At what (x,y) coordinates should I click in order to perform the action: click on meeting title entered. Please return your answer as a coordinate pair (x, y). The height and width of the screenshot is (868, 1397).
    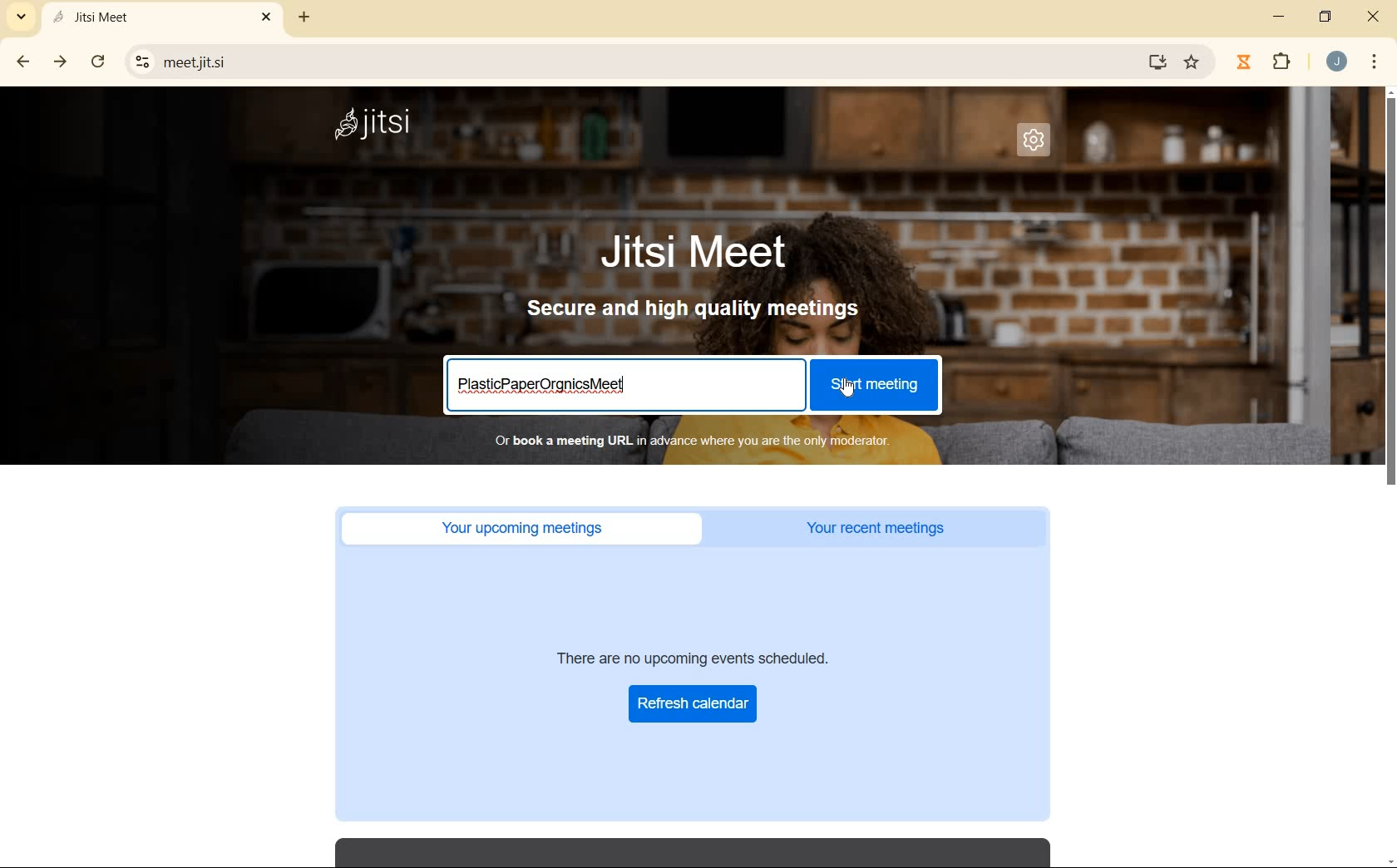
    Looking at the image, I should click on (562, 383).